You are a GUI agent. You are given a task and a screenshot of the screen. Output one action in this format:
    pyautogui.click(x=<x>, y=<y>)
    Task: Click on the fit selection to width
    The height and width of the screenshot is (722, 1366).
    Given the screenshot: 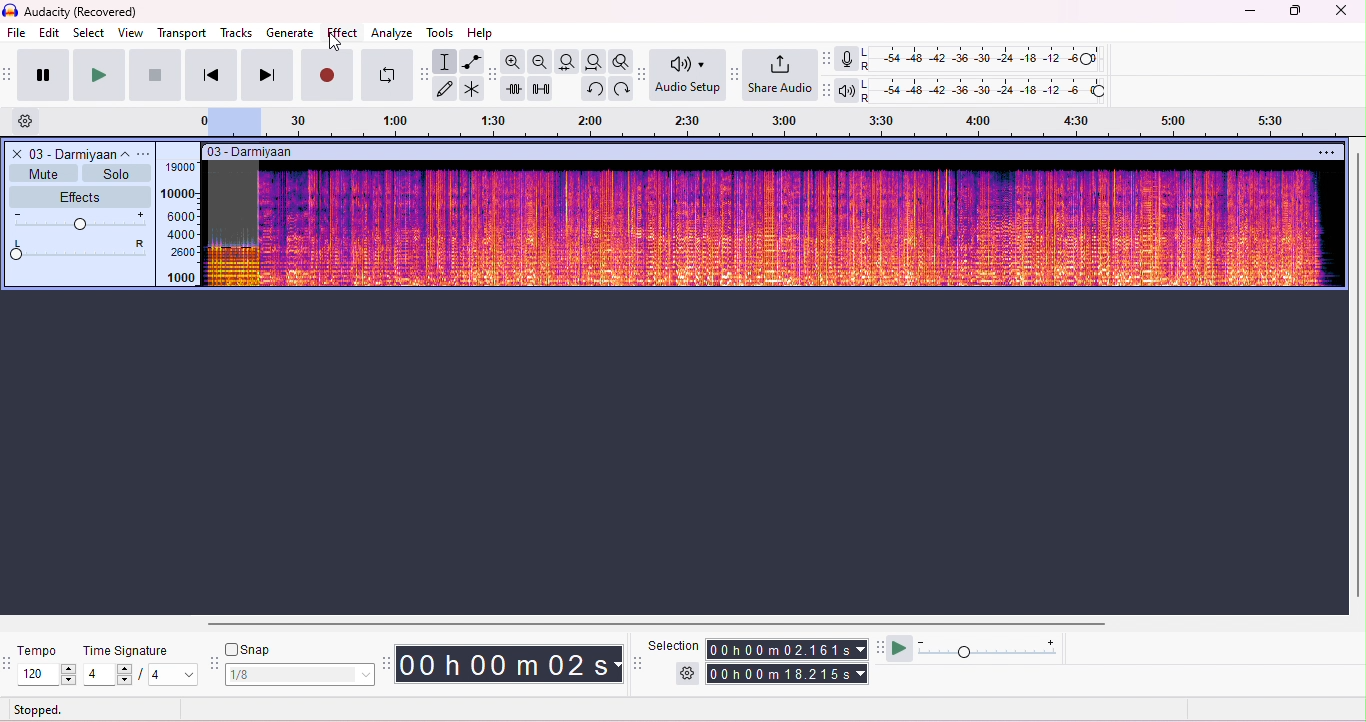 What is the action you would take?
    pyautogui.click(x=567, y=62)
    